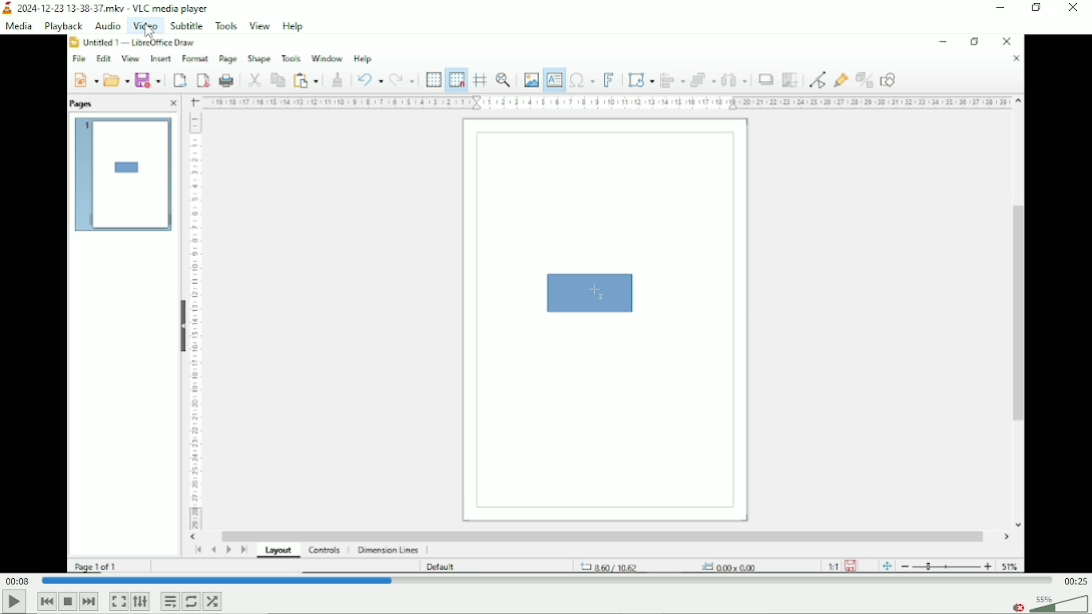  What do you see at coordinates (119, 601) in the screenshot?
I see `Toggle video in fullscreen` at bounding box center [119, 601].